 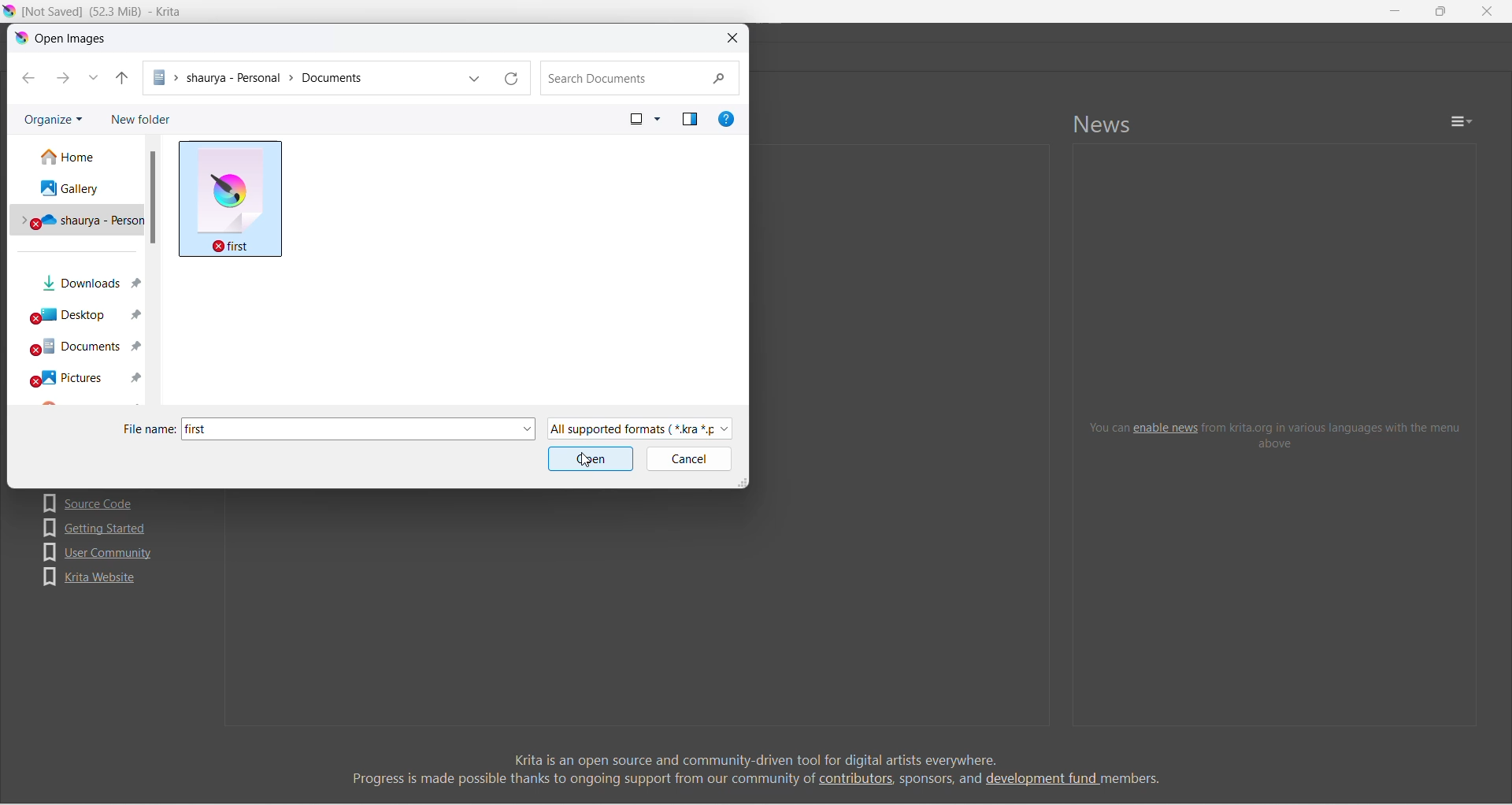 What do you see at coordinates (197, 429) in the screenshot?
I see `file name` at bounding box center [197, 429].